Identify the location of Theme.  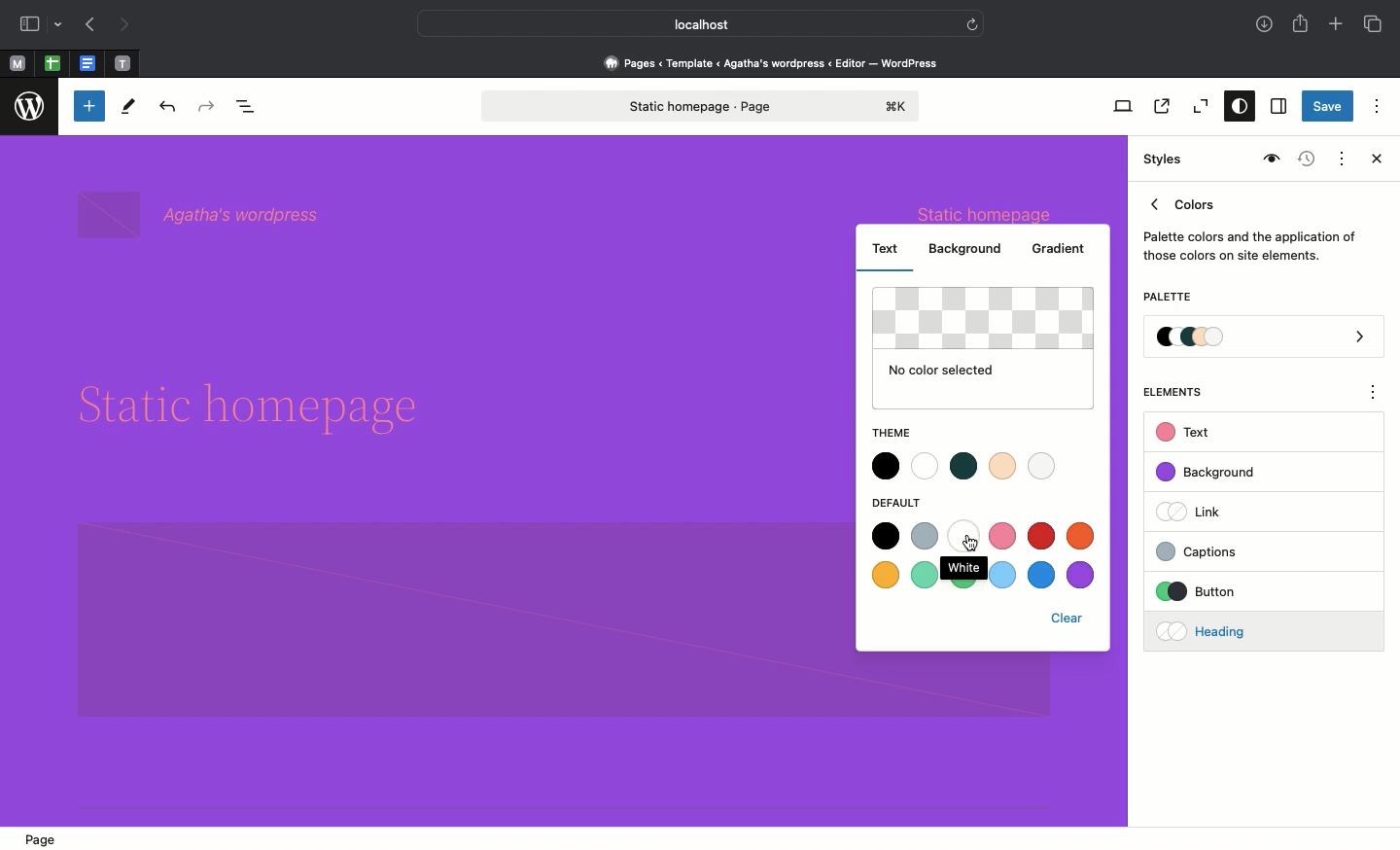
(892, 428).